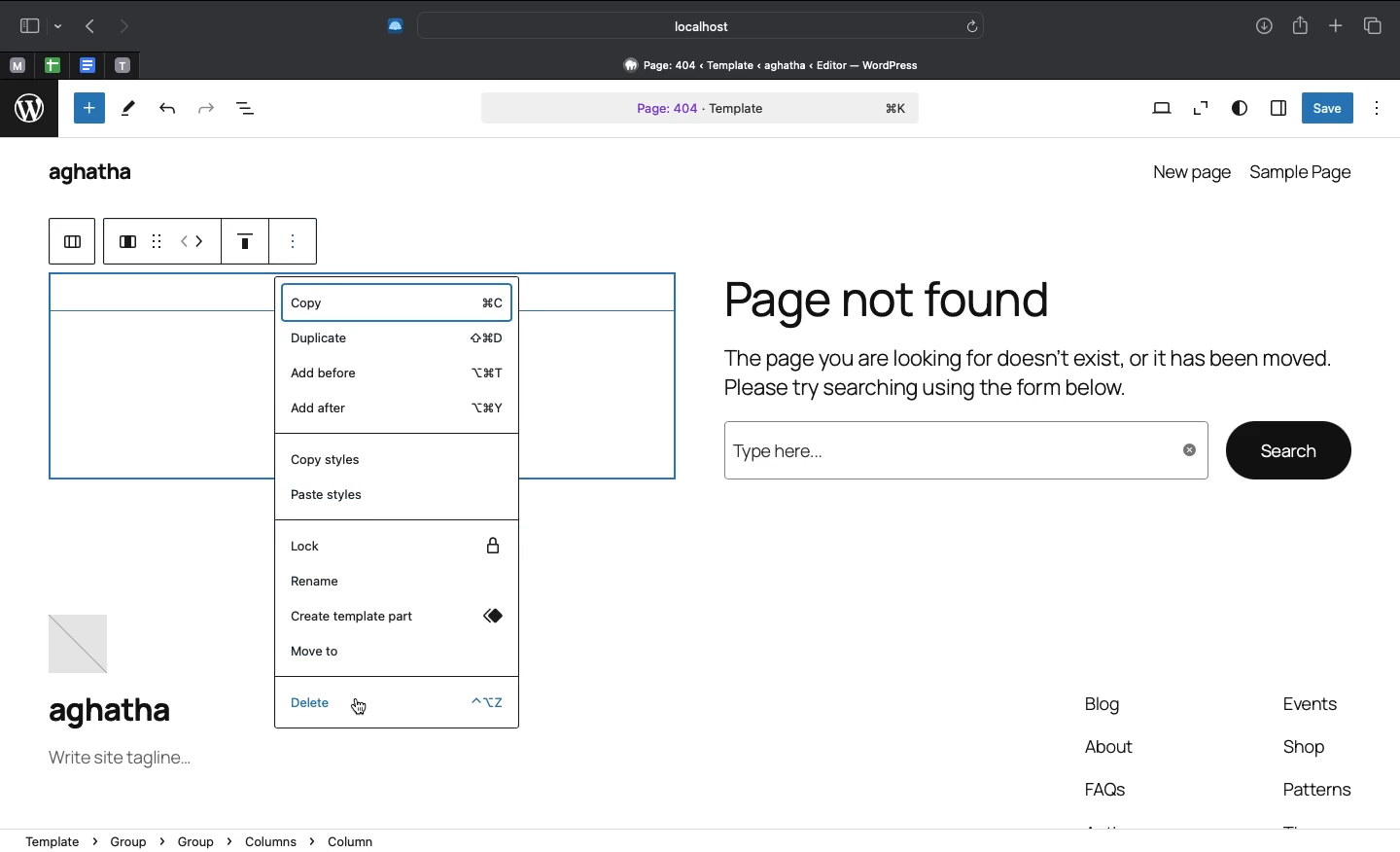  I want to click on View, so click(1161, 110).